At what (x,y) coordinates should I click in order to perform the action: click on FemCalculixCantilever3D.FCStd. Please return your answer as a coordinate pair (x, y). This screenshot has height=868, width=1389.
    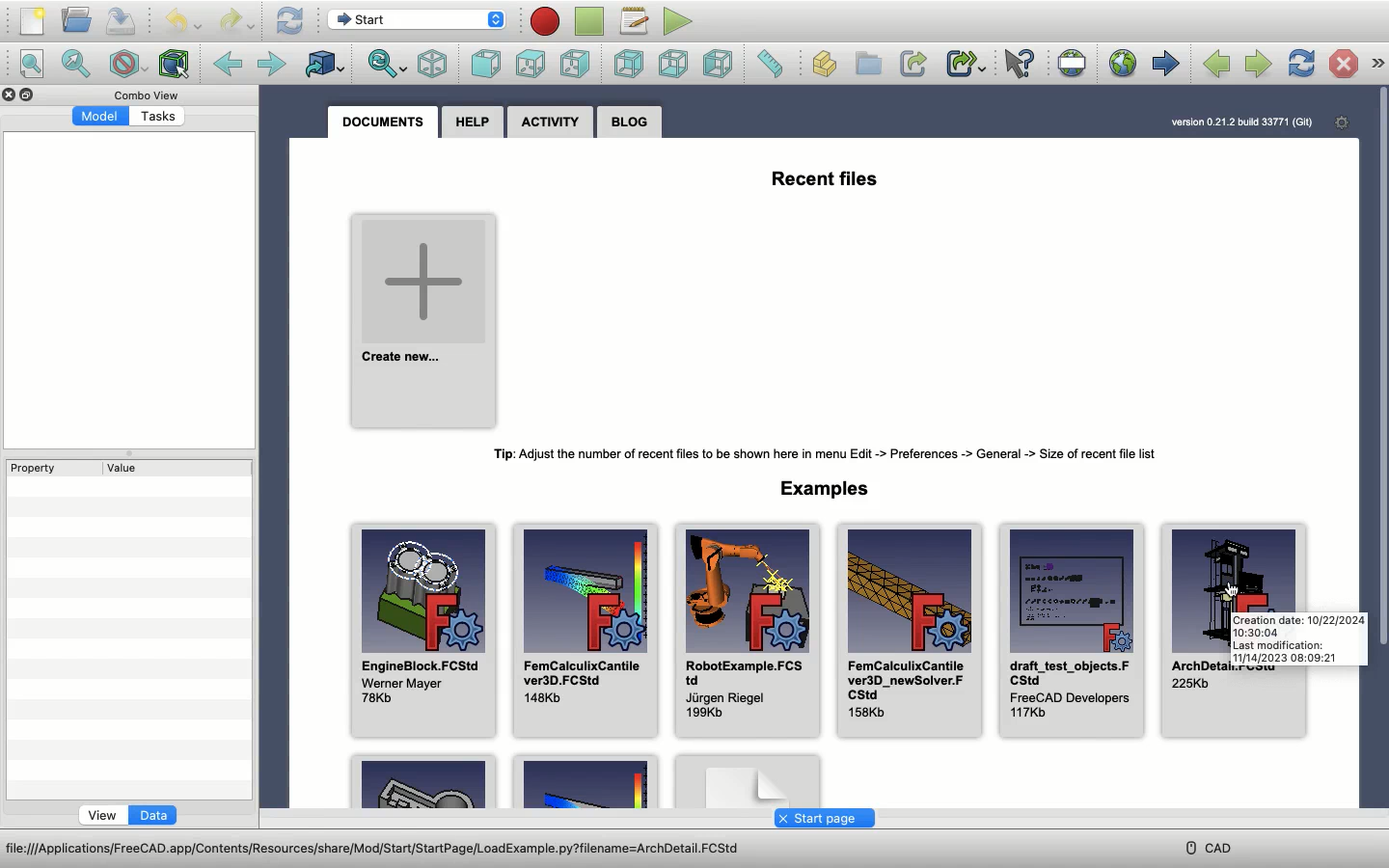
    Looking at the image, I should click on (588, 629).